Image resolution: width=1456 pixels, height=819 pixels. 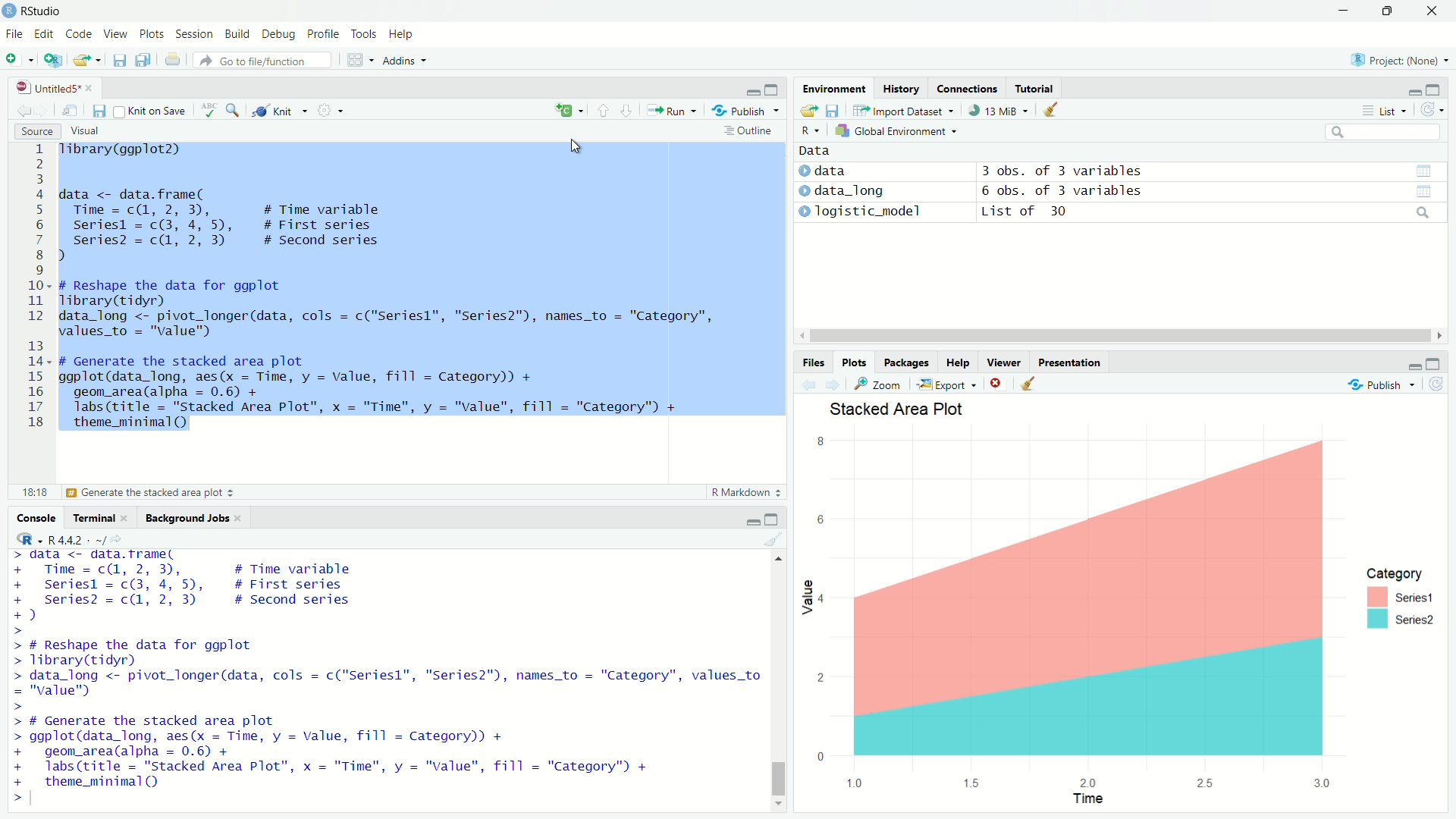 I want to click on Plots, so click(x=153, y=33).